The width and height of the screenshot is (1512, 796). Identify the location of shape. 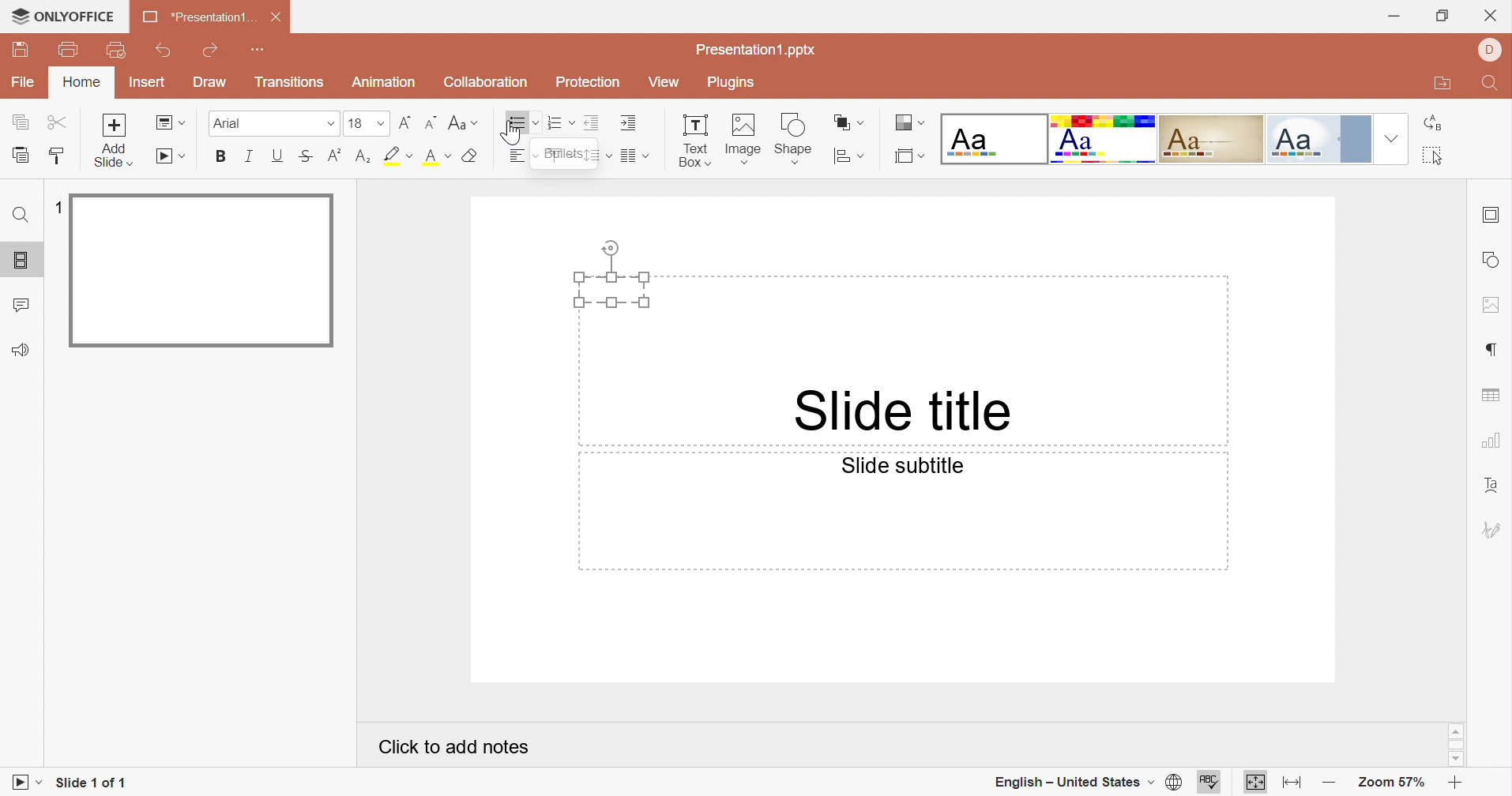
(799, 137).